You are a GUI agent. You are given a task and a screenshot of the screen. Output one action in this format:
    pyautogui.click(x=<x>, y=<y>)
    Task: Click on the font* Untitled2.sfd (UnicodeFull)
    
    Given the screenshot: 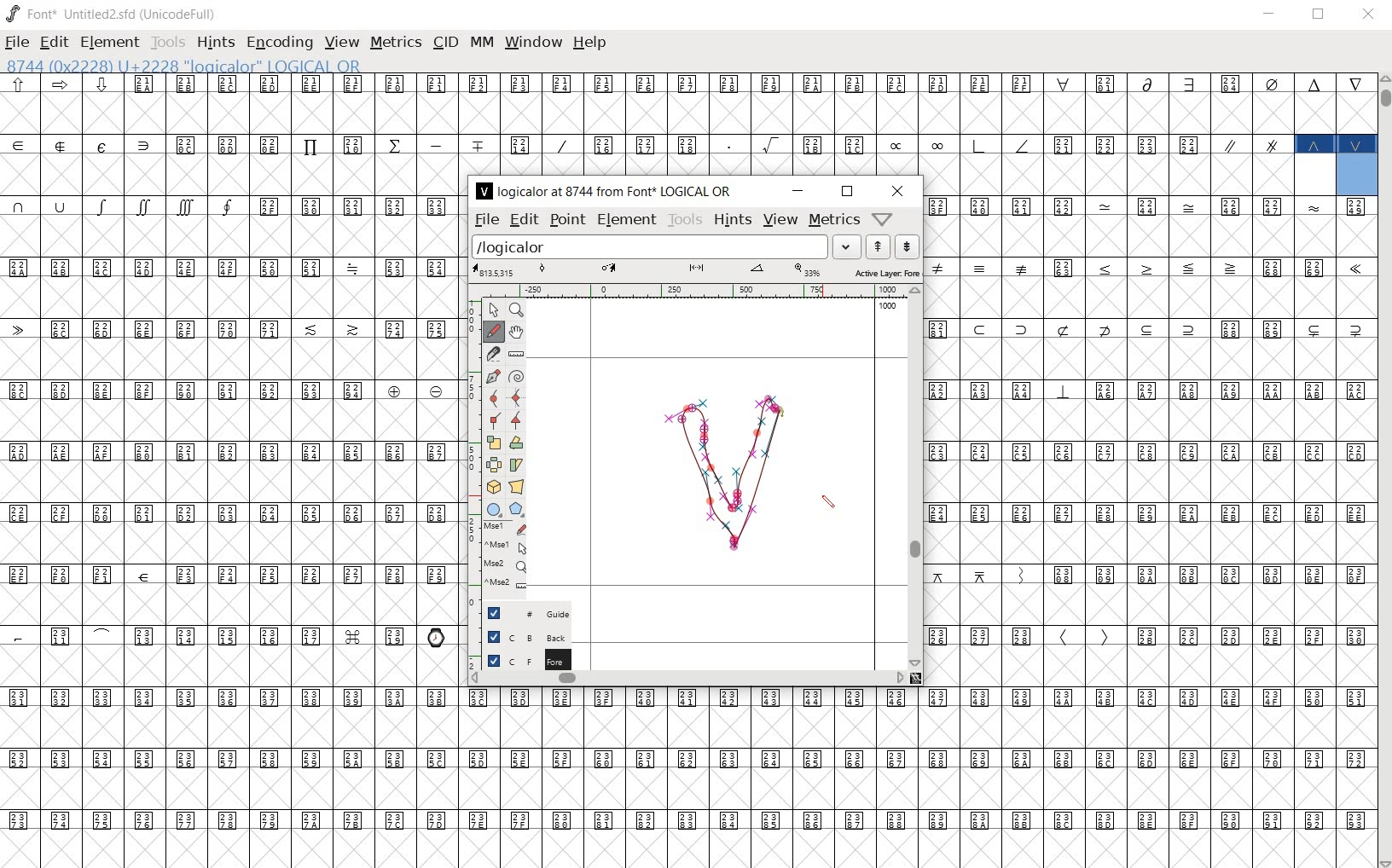 What is the action you would take?
    pyautogui.click(x=109, y=13)
    